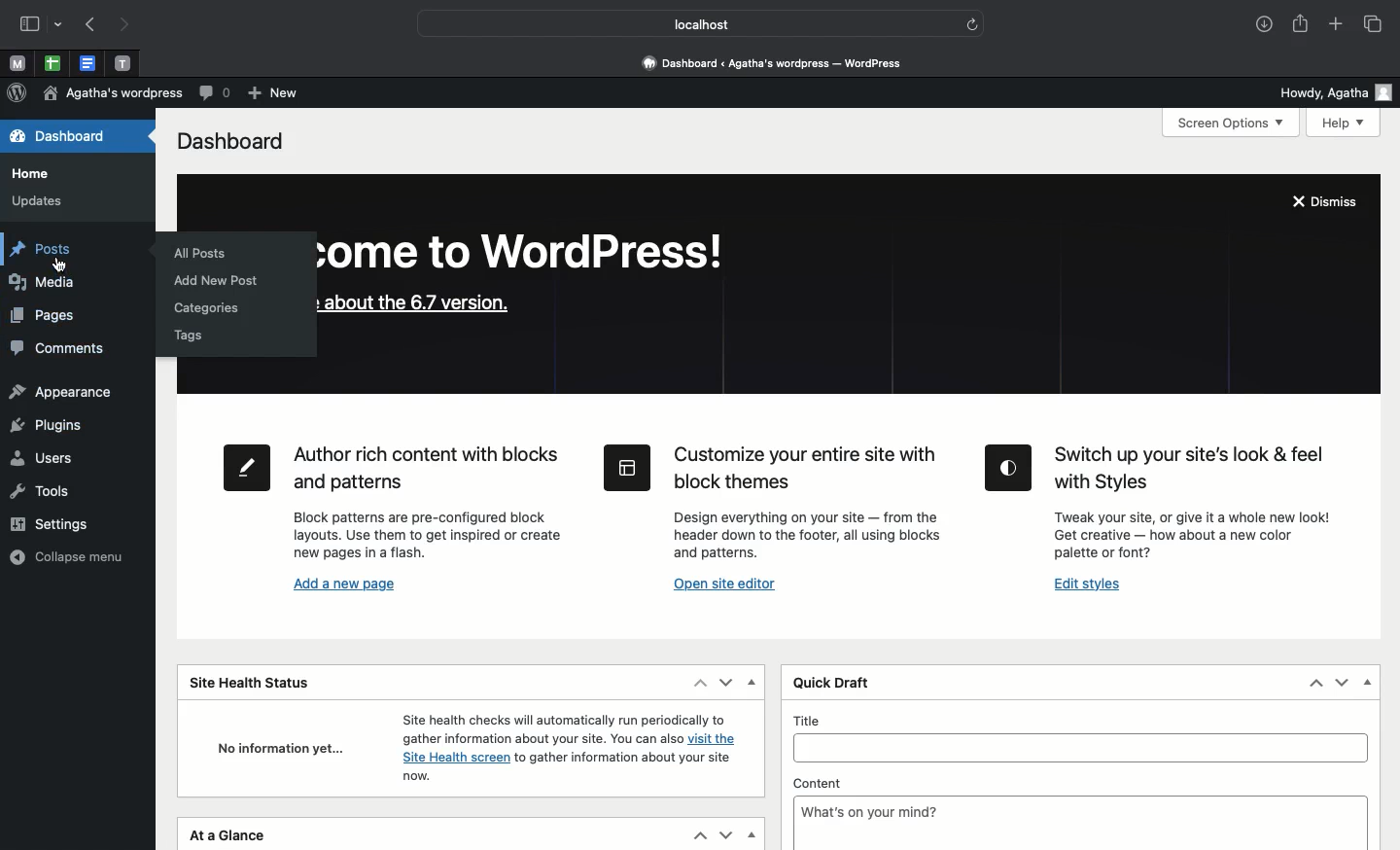 The image size is (1400, 850). I want to click on Author rich content with blocks and patterns Block patterns are pre-configured block layouts. Use them to get inspired or create new pages in a flash., so click(391, 502).